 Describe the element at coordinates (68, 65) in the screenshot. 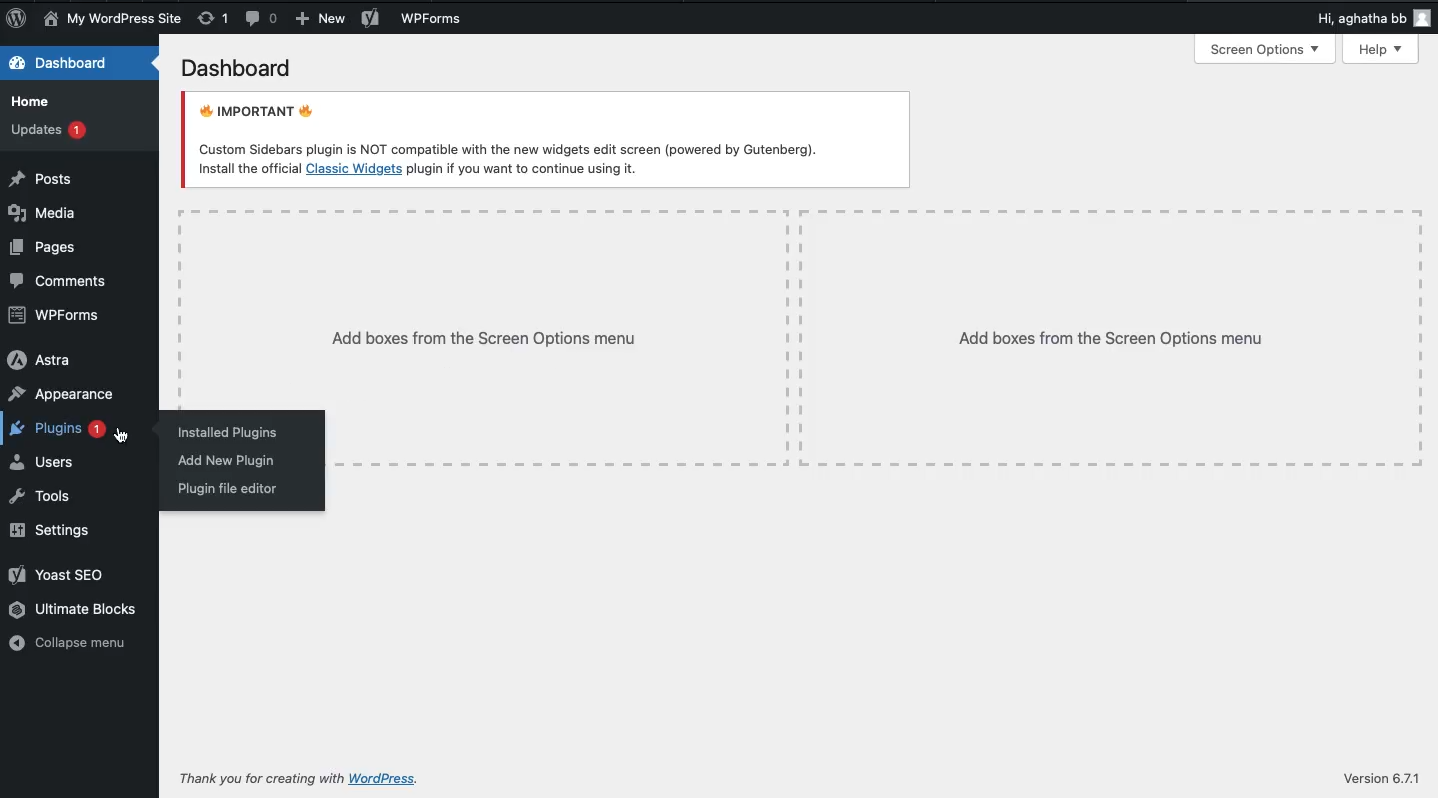

I see `Dashboard` at that location.